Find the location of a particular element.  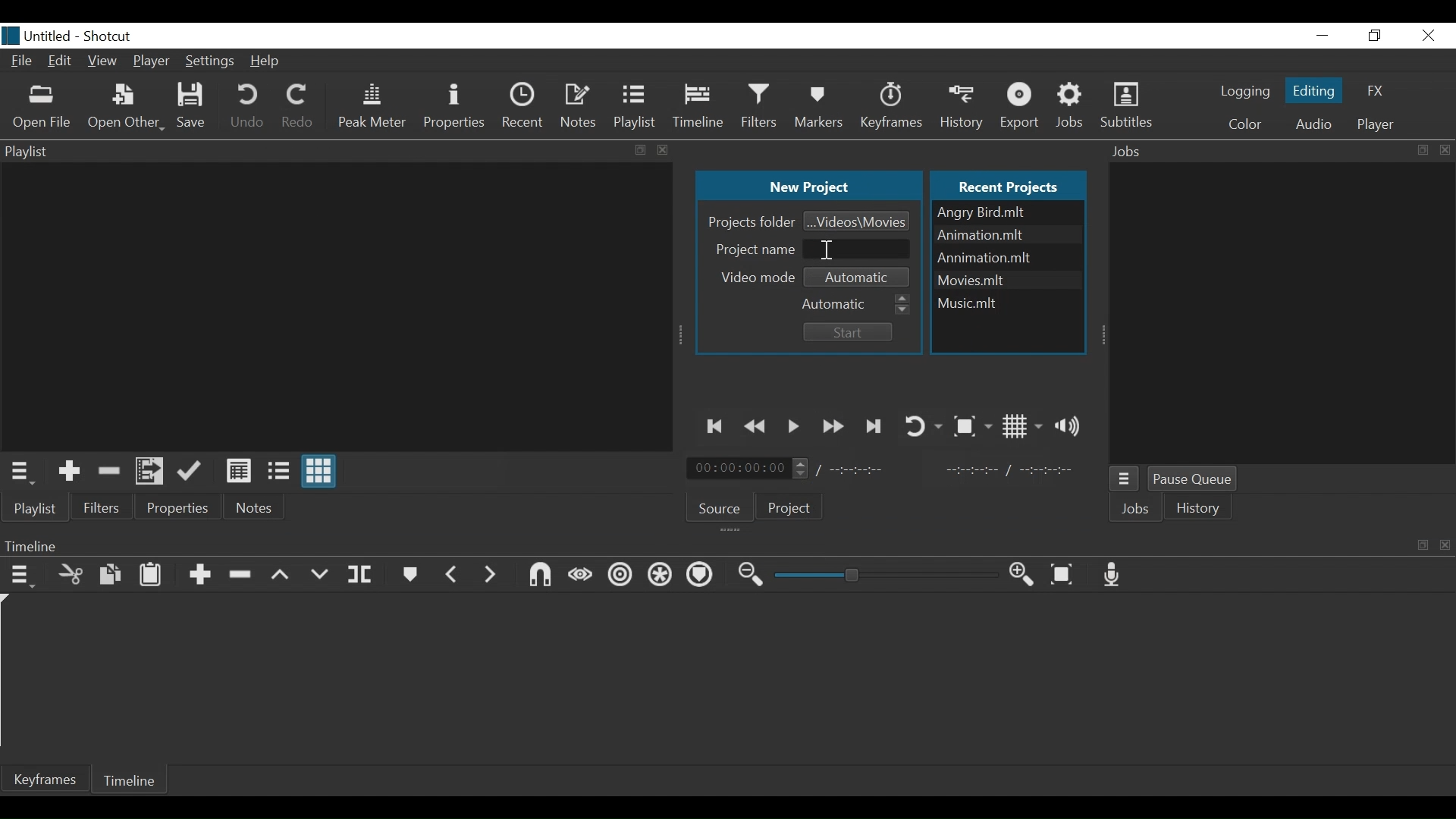

Filters is located at coordinates (762, 105).